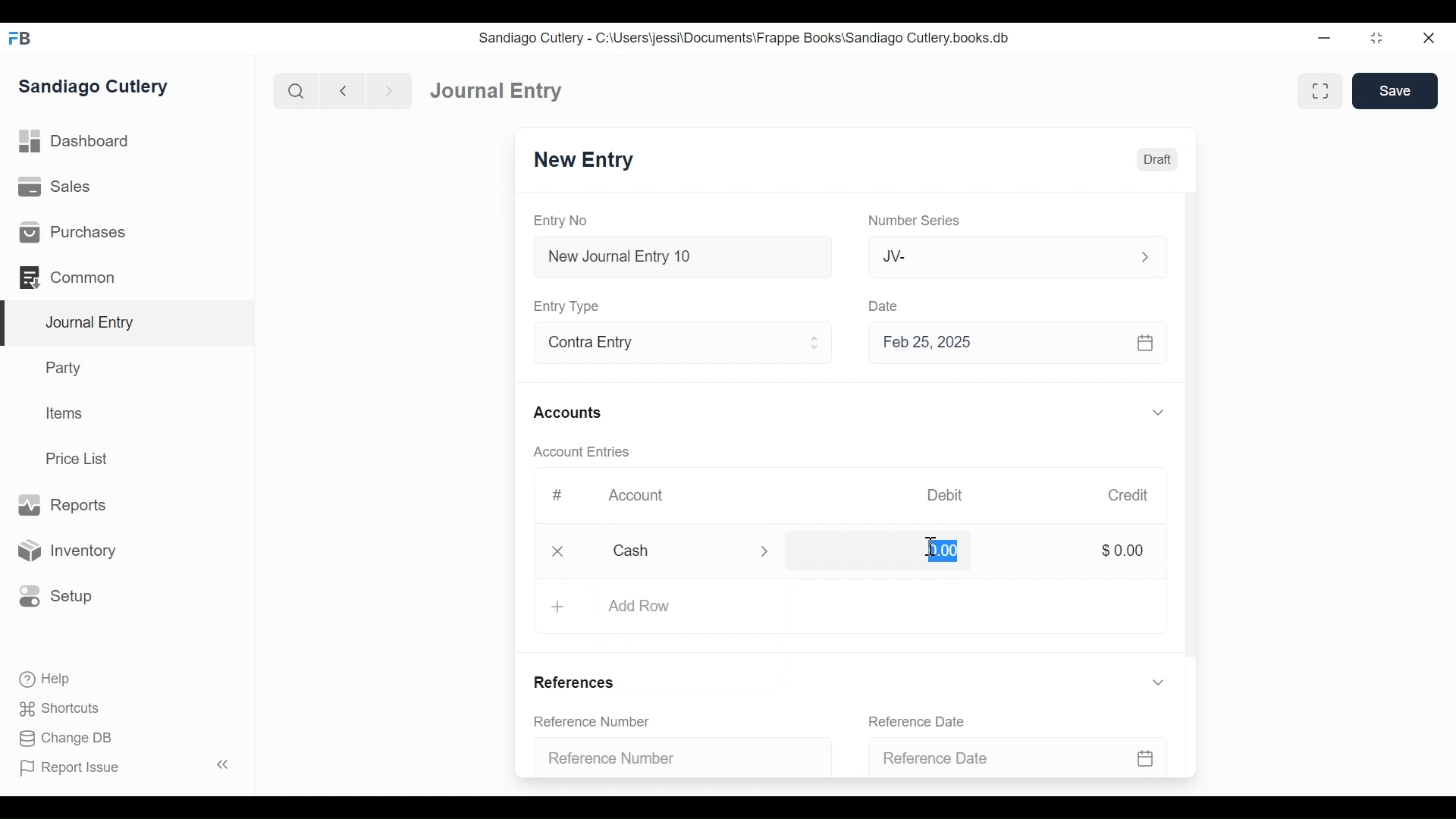  What do you see at coordinates (675, 756) in the screenshot?
I see `Reference Number` at bounding box center [675, 756].